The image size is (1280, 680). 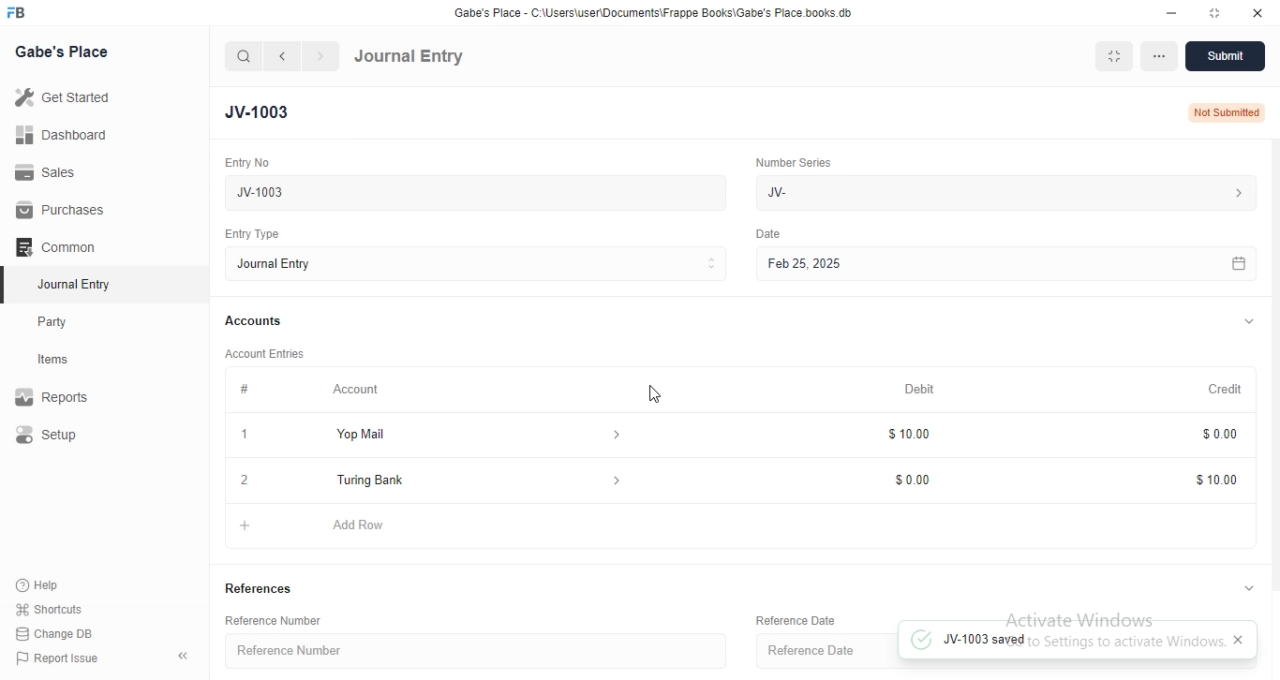 What do you see at coordinates (67, 658) in the screenshot?
I see `Report Issue` at bounding box center [67, 658].